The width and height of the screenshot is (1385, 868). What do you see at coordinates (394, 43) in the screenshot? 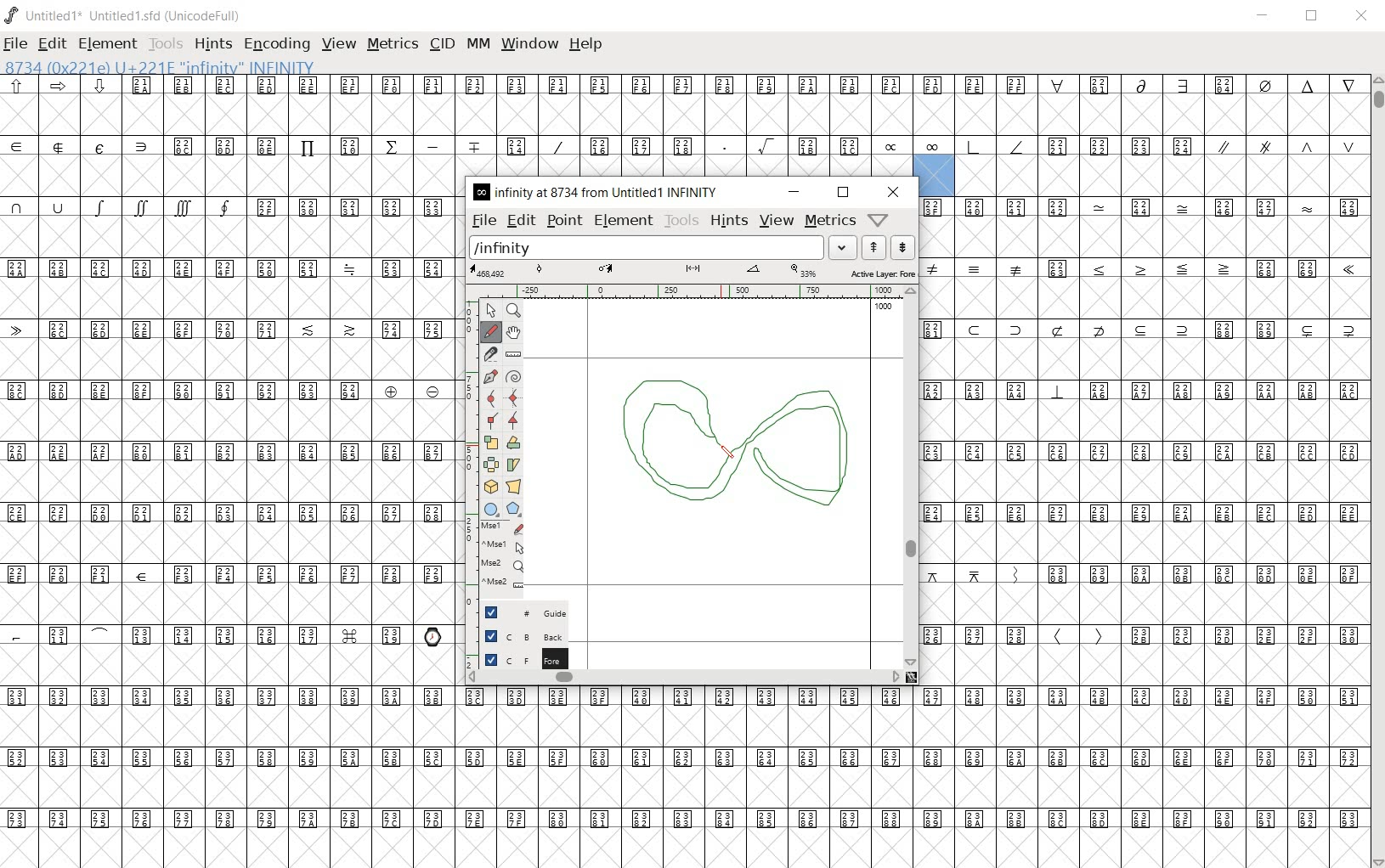
I see `metrics` at bounding box center [394, 43].